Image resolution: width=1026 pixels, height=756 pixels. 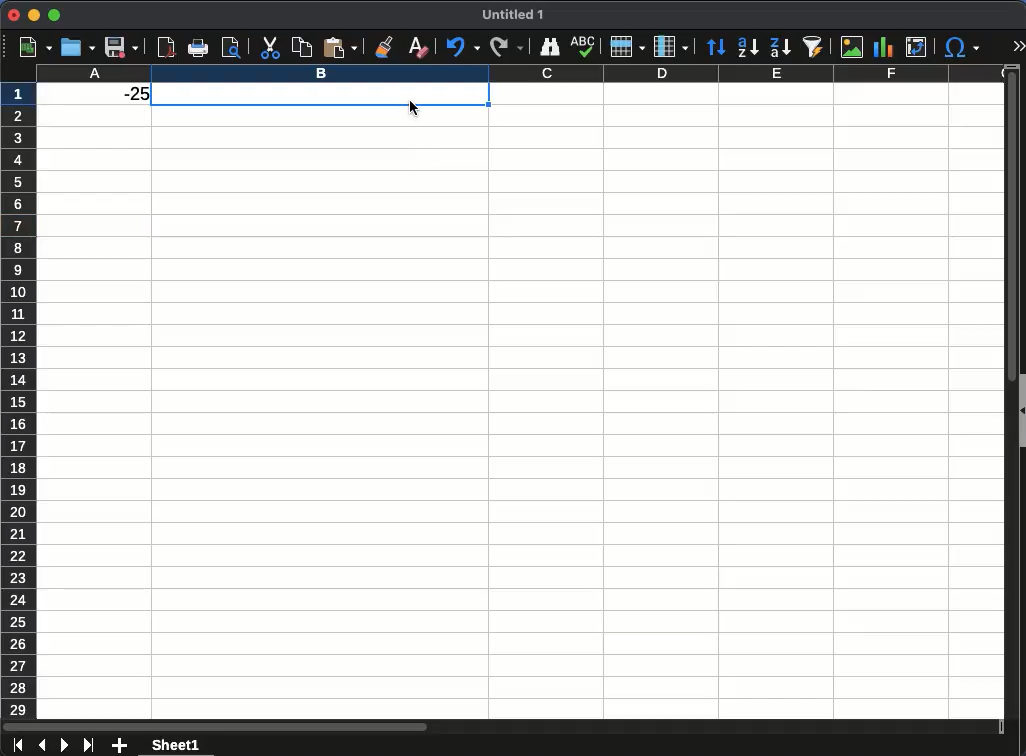 What do you see at coordinates (582, 46) in the screenshot?
I see `abc` at bounding box center [582, 46].